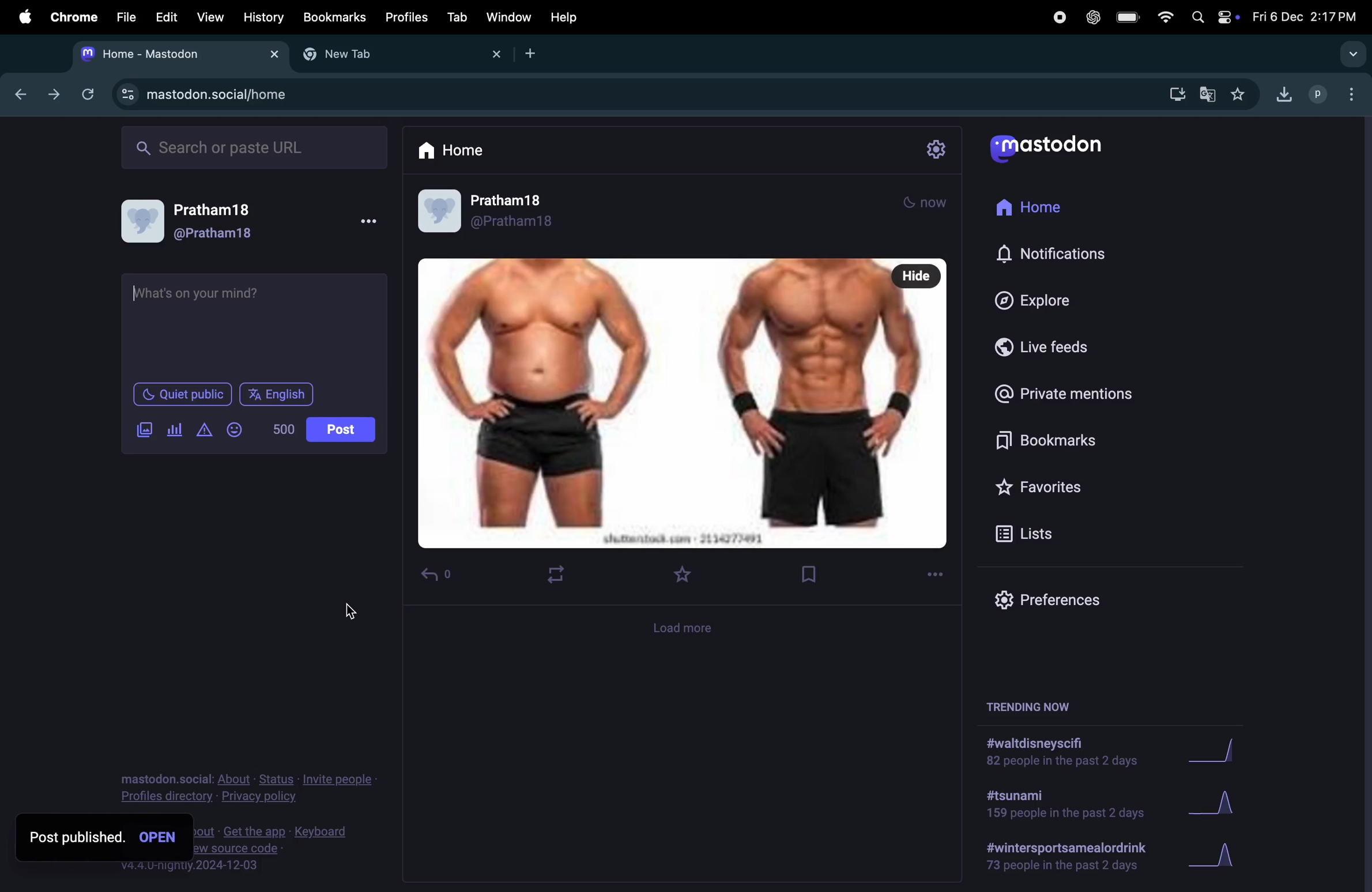 The width and height of the screenshot is (1372, 892). What do you see at coordinates (1043, 300) in the screenshot?
I see `explore` at bounding box center [1043, 300].